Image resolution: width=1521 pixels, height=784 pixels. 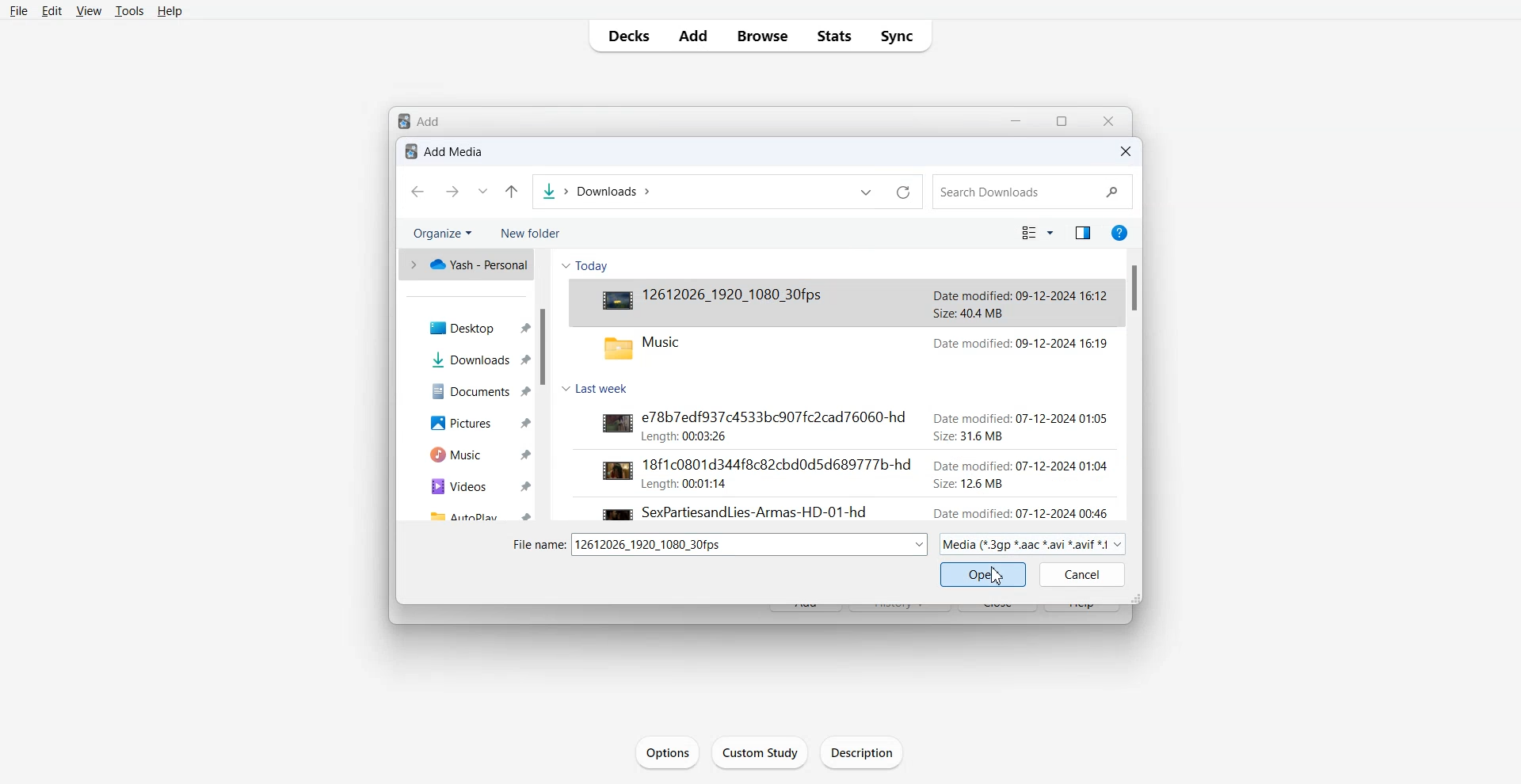 I want to click on Last Week, so click(x=596, y=391).